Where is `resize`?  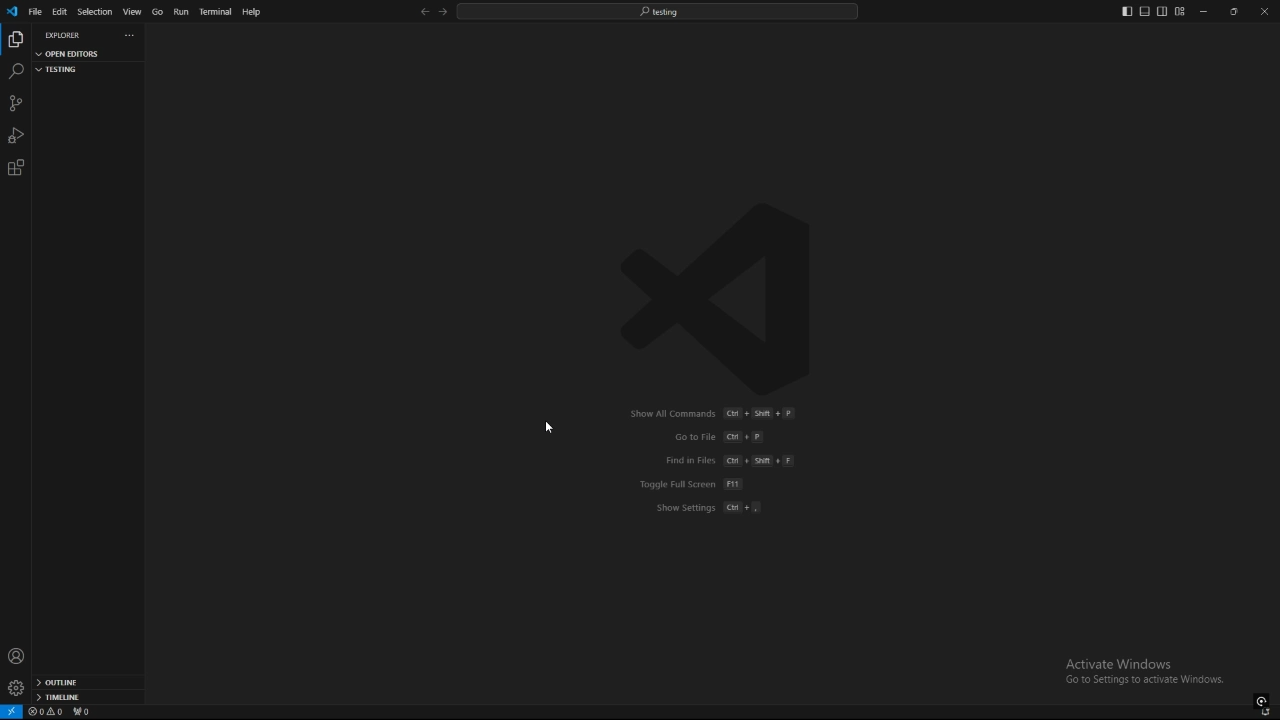 resize is located at coordinates (1233, 11).